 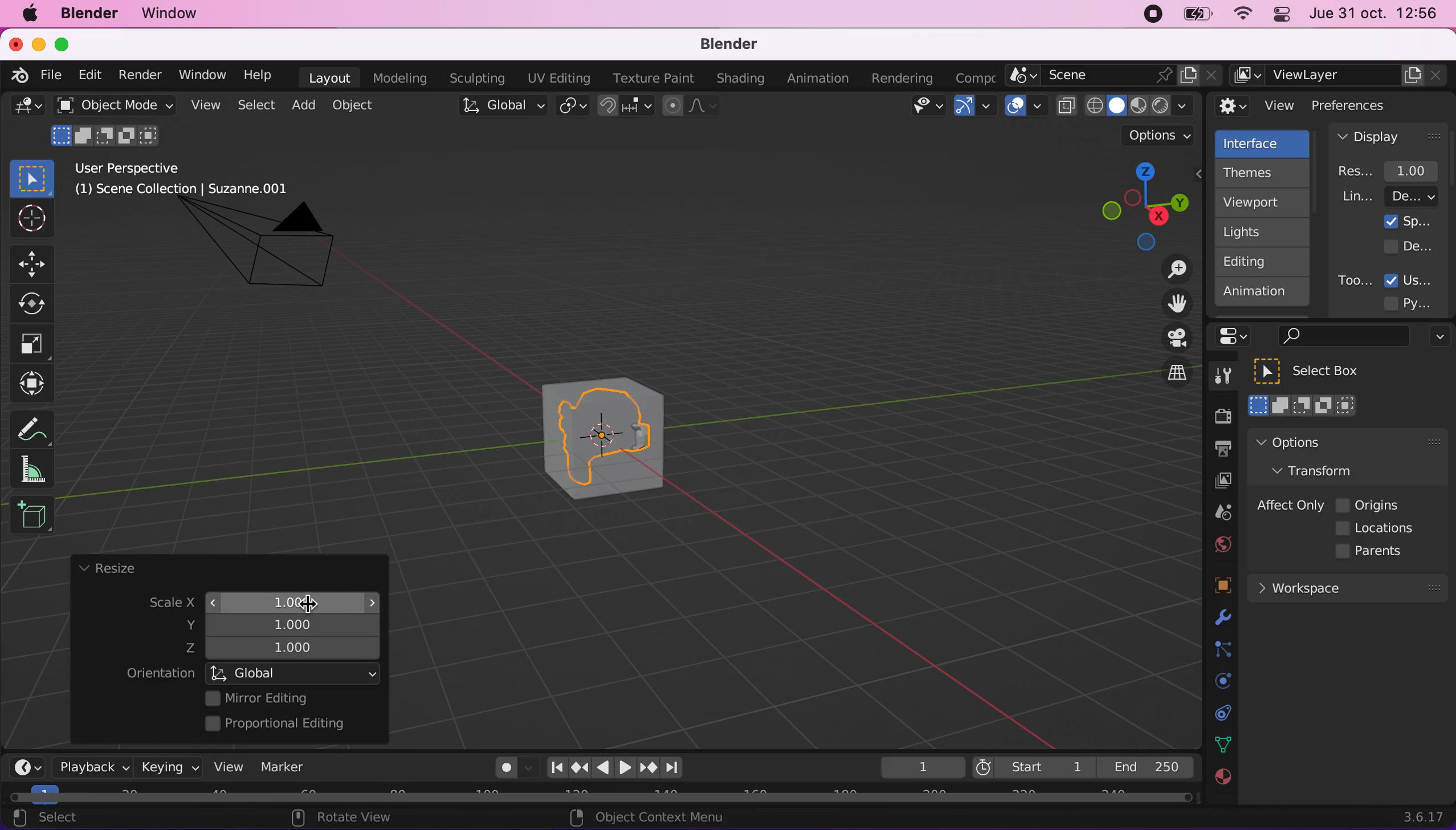 What do you see at coordinates (1220, 543) in the screenshot?
I see `world` at bounding box center [1220, 543].